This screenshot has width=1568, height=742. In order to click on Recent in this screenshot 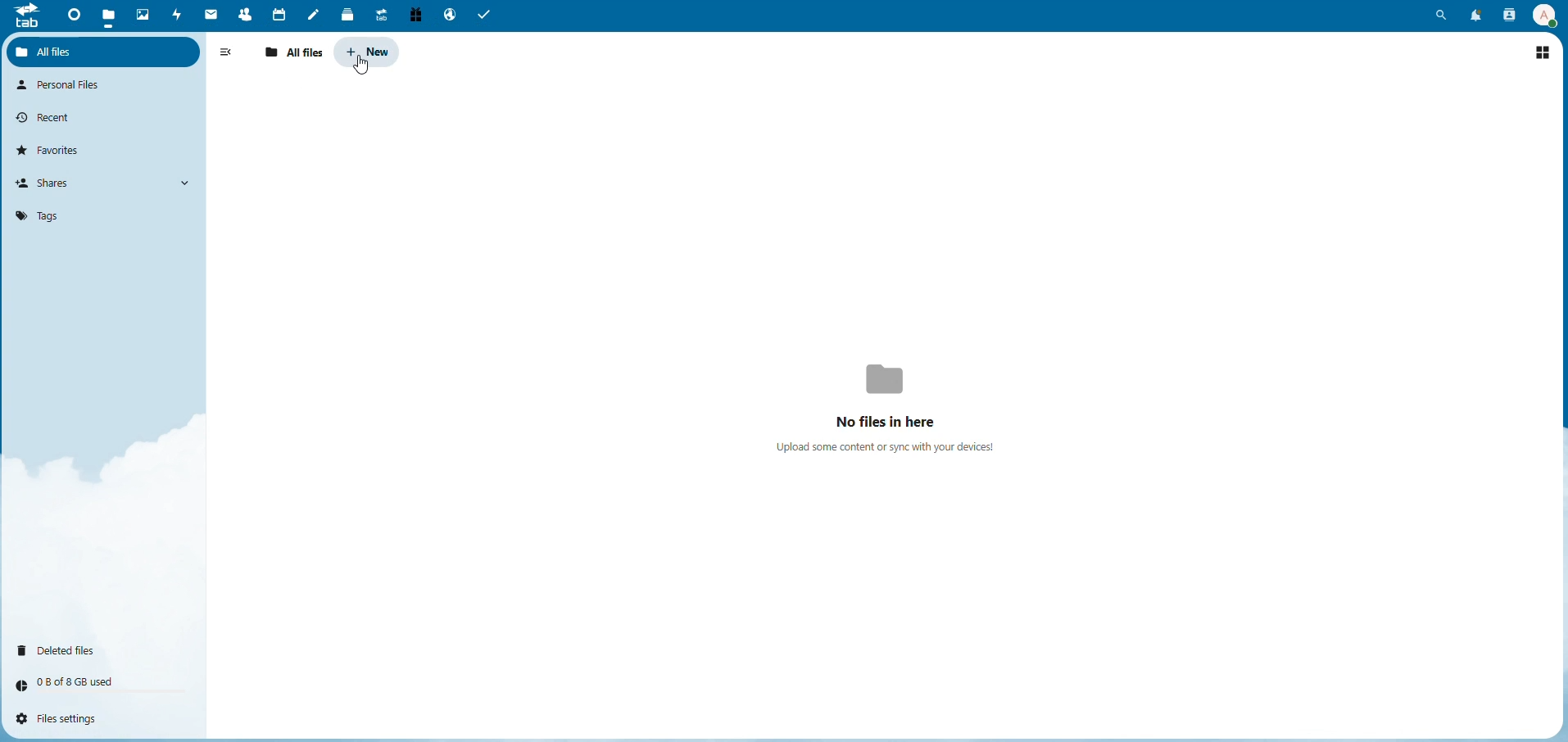, I will do `click(50, 116)`.